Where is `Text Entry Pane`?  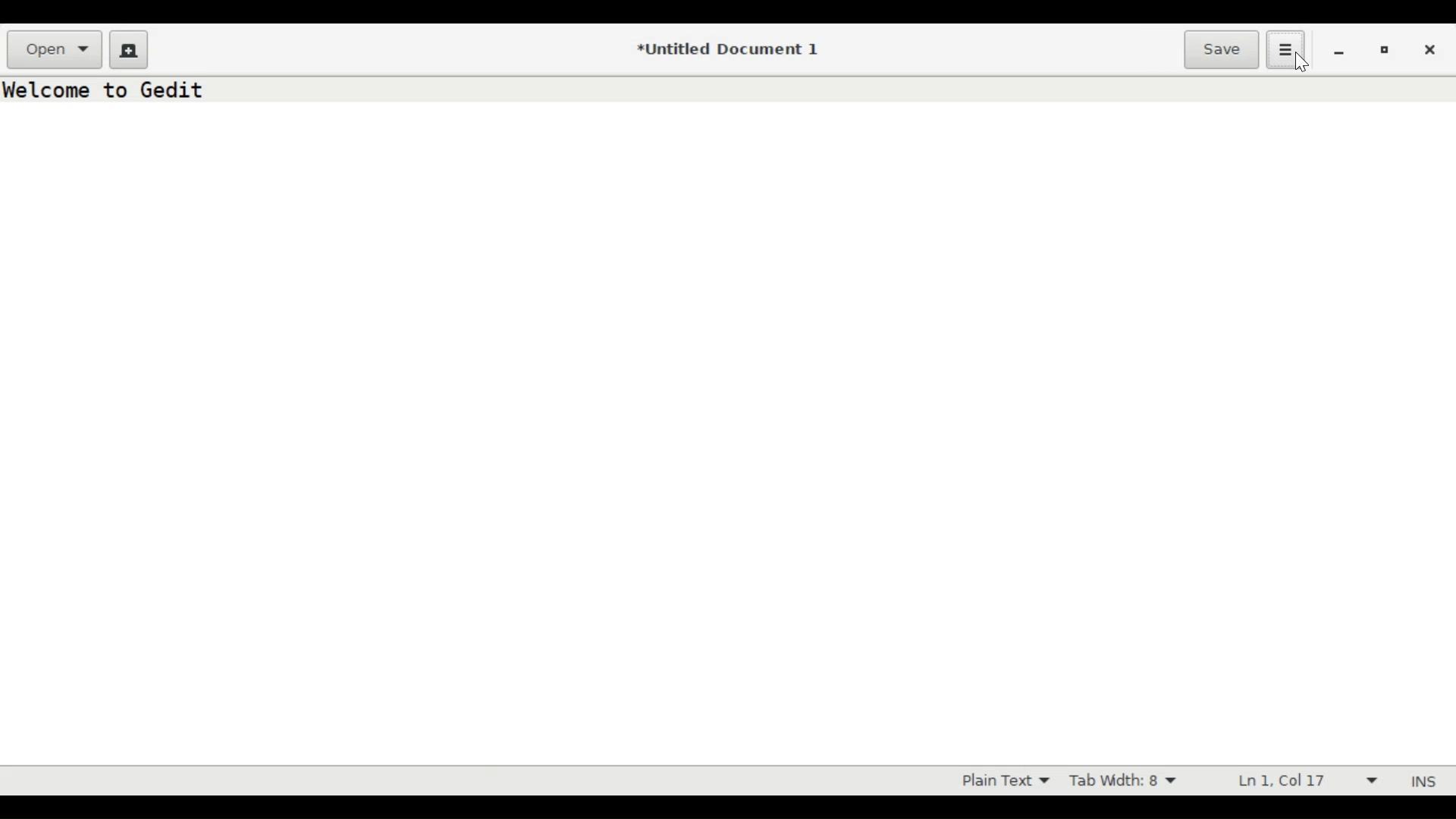
Text Entry Pane is located at coordinates (727, 417).